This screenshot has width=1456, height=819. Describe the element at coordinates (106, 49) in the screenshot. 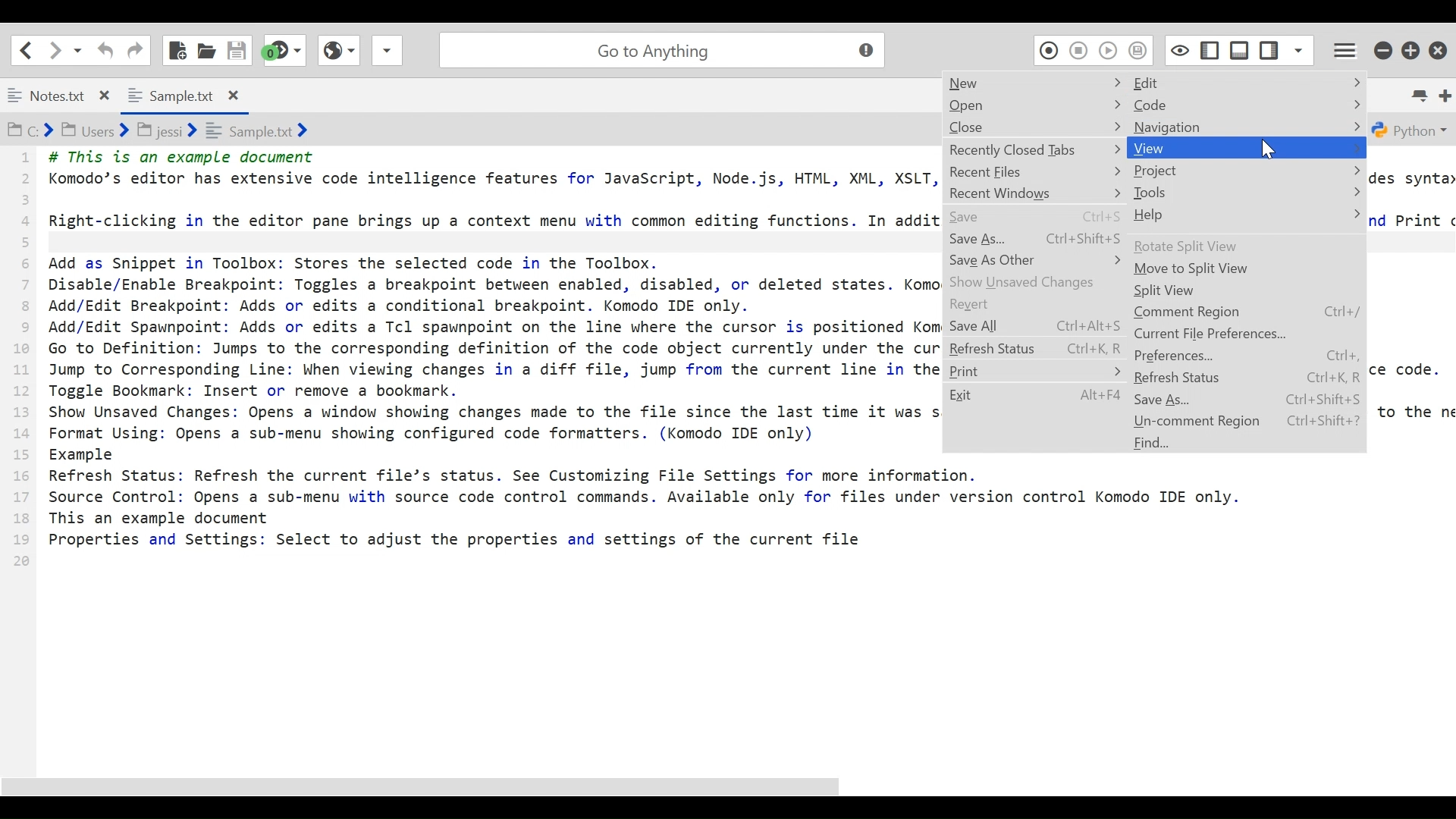

I see `Undo` at that location.